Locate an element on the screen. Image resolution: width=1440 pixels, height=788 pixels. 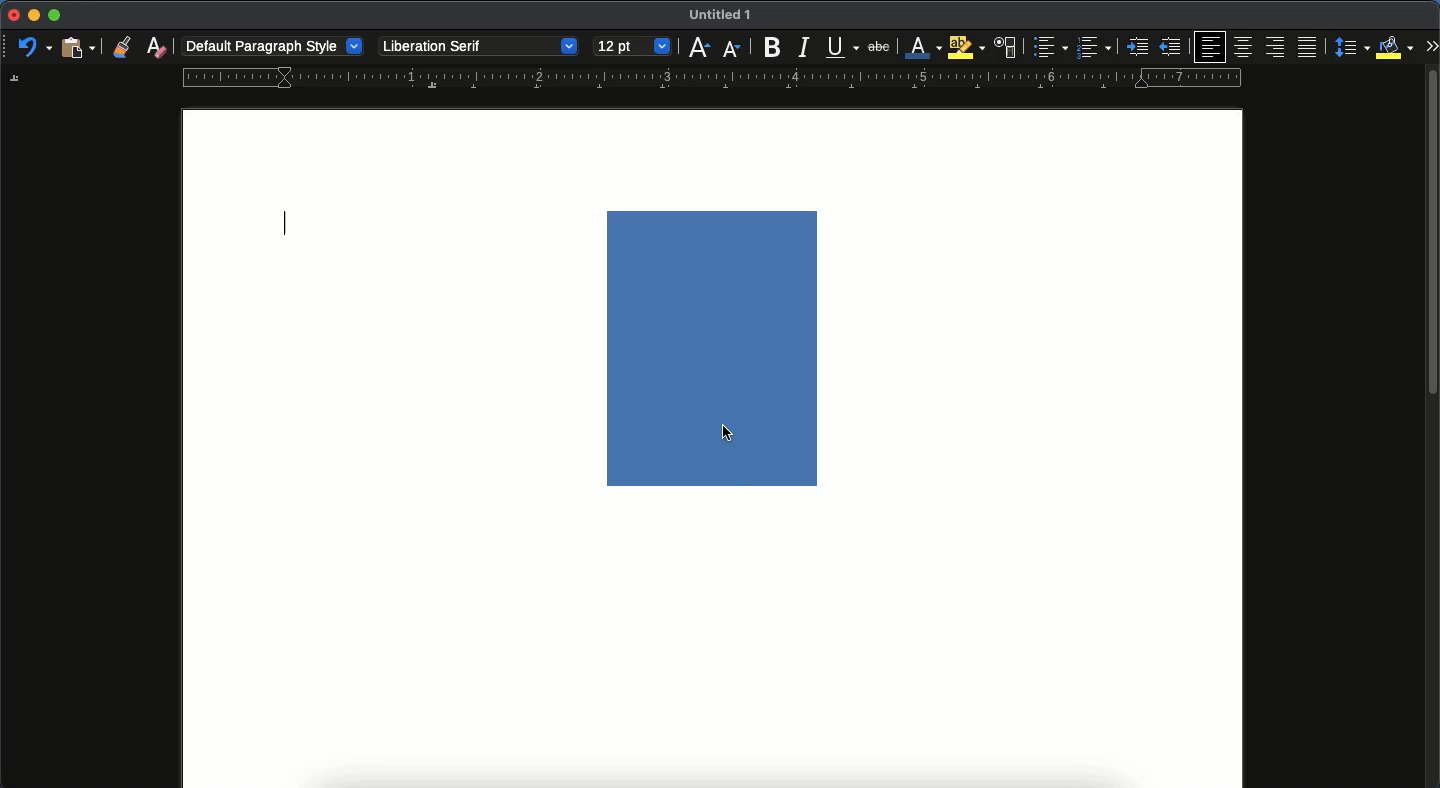
minimize is located at coordinates (31, 15).